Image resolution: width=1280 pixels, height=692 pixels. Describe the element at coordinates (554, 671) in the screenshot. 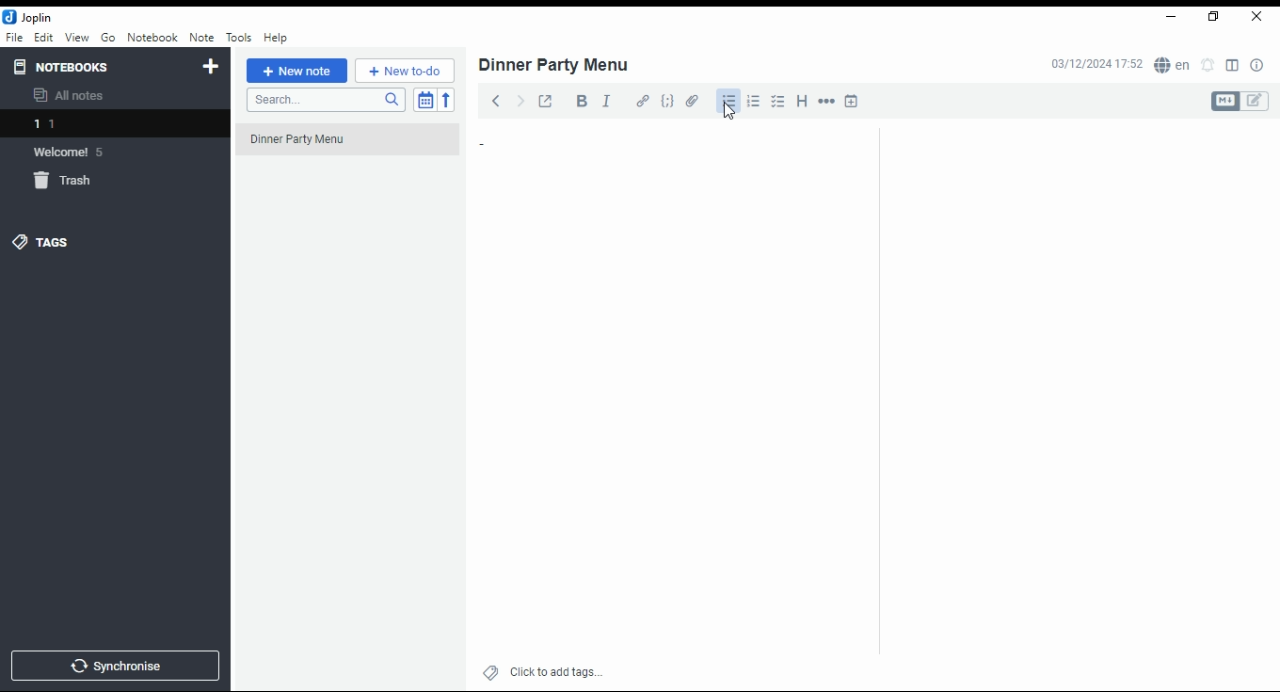

I see `click to add tags` at that location.